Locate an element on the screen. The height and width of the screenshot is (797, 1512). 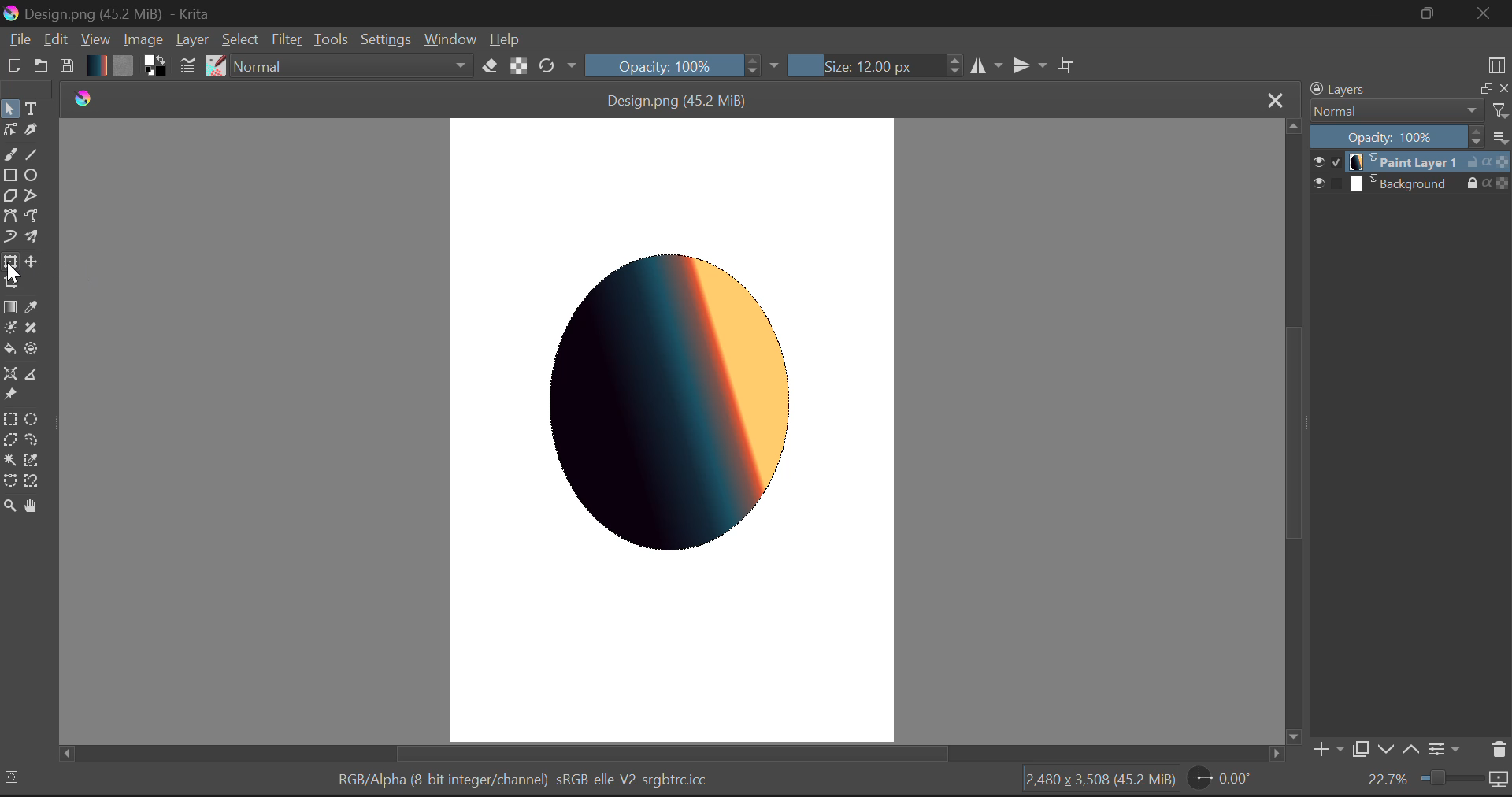
Edit is located at coordinates (55, 39).